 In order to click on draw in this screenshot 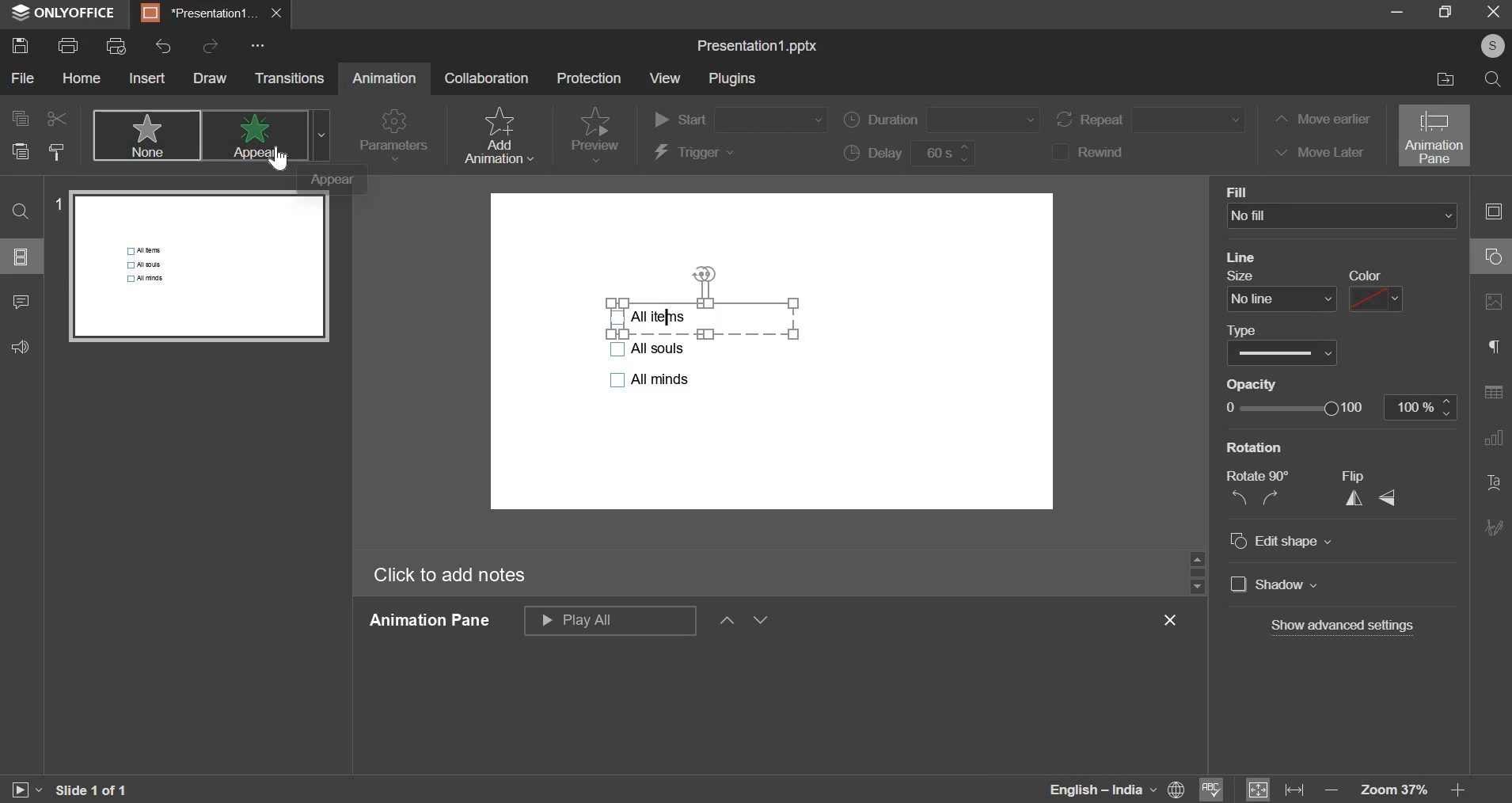, I will do `click(210, 78)`.